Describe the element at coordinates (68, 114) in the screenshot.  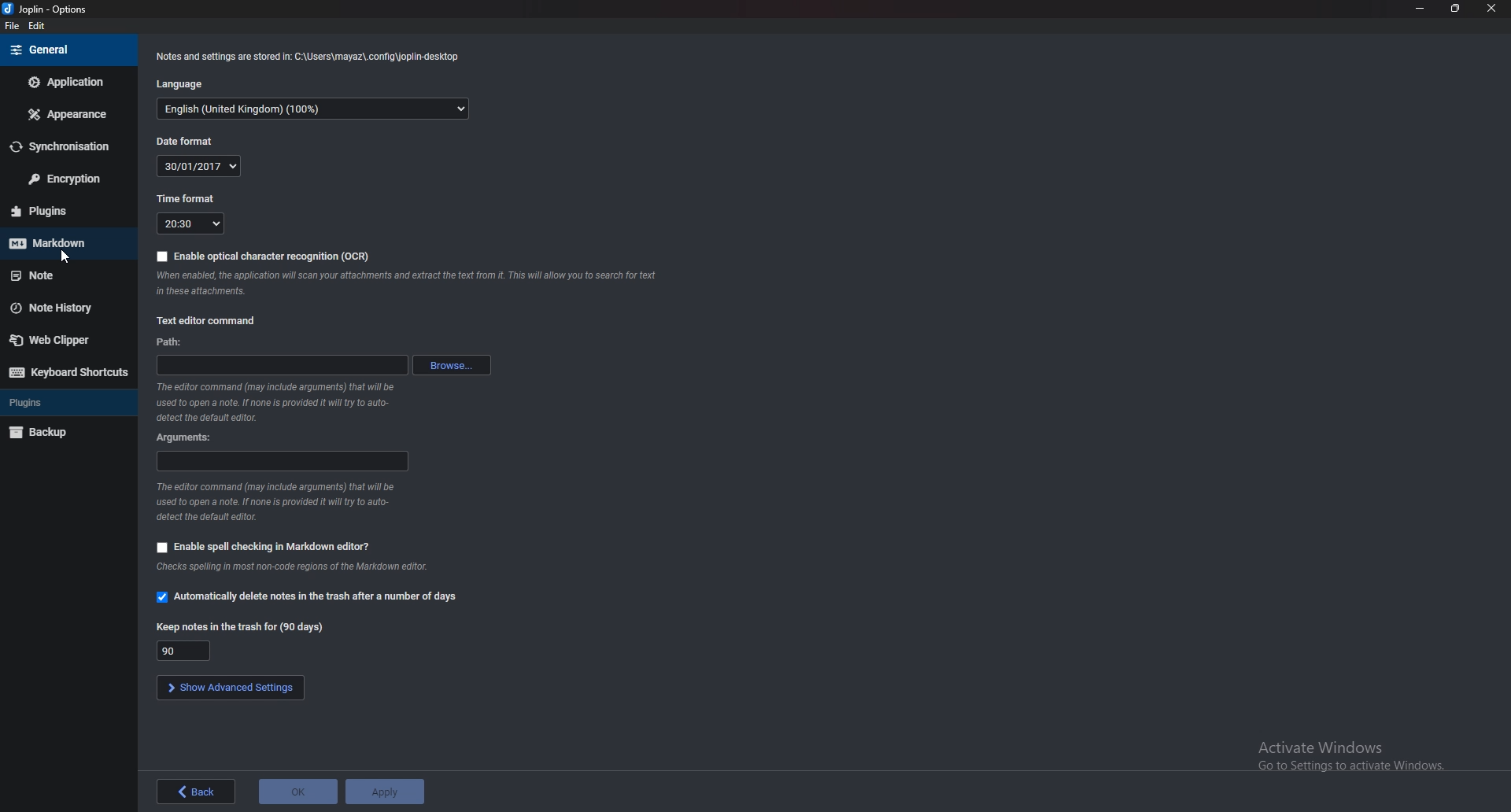
I see `appearance` at that location.